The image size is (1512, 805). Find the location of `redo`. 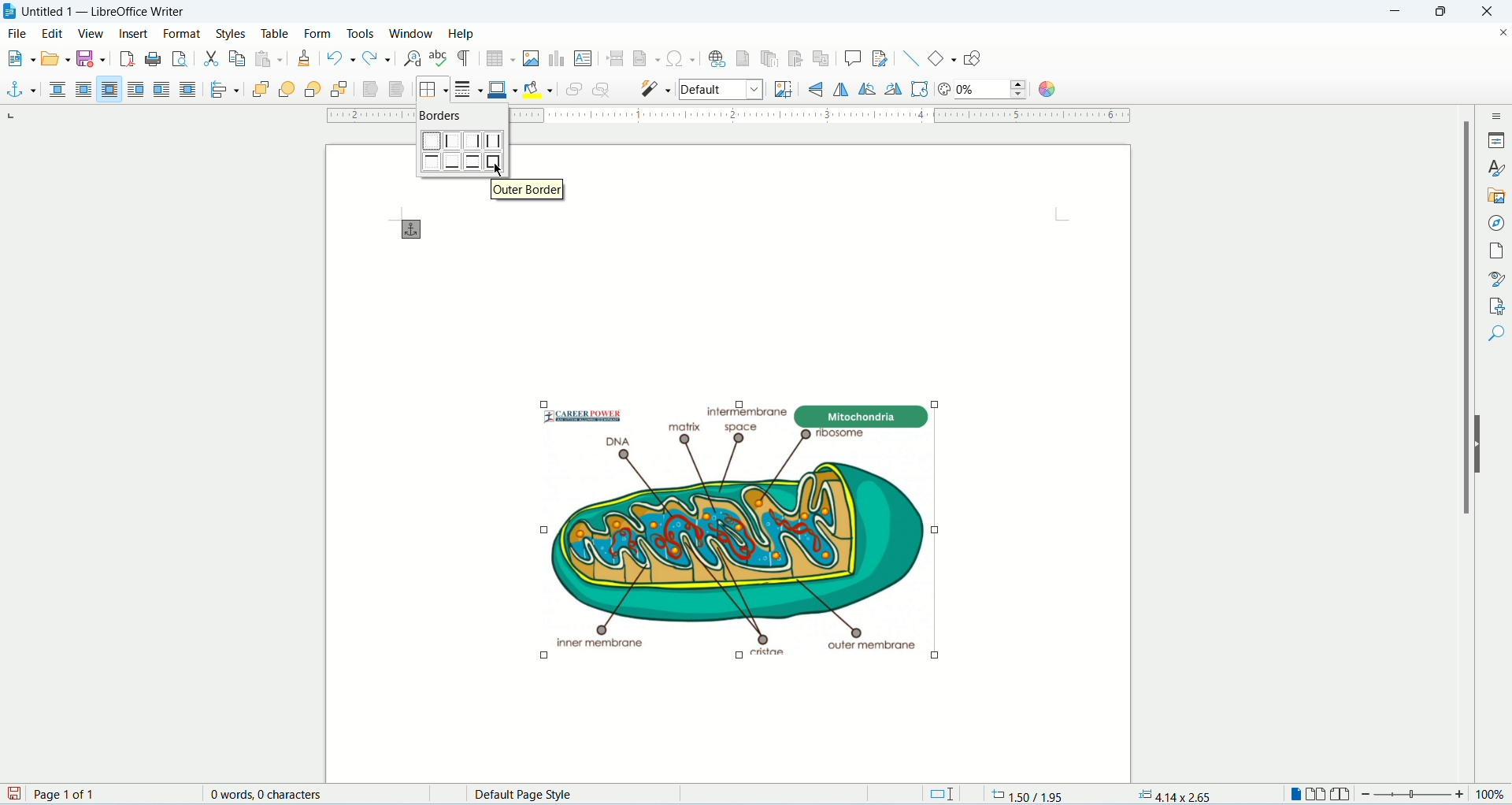

redo is located at coordinates (378, 57).